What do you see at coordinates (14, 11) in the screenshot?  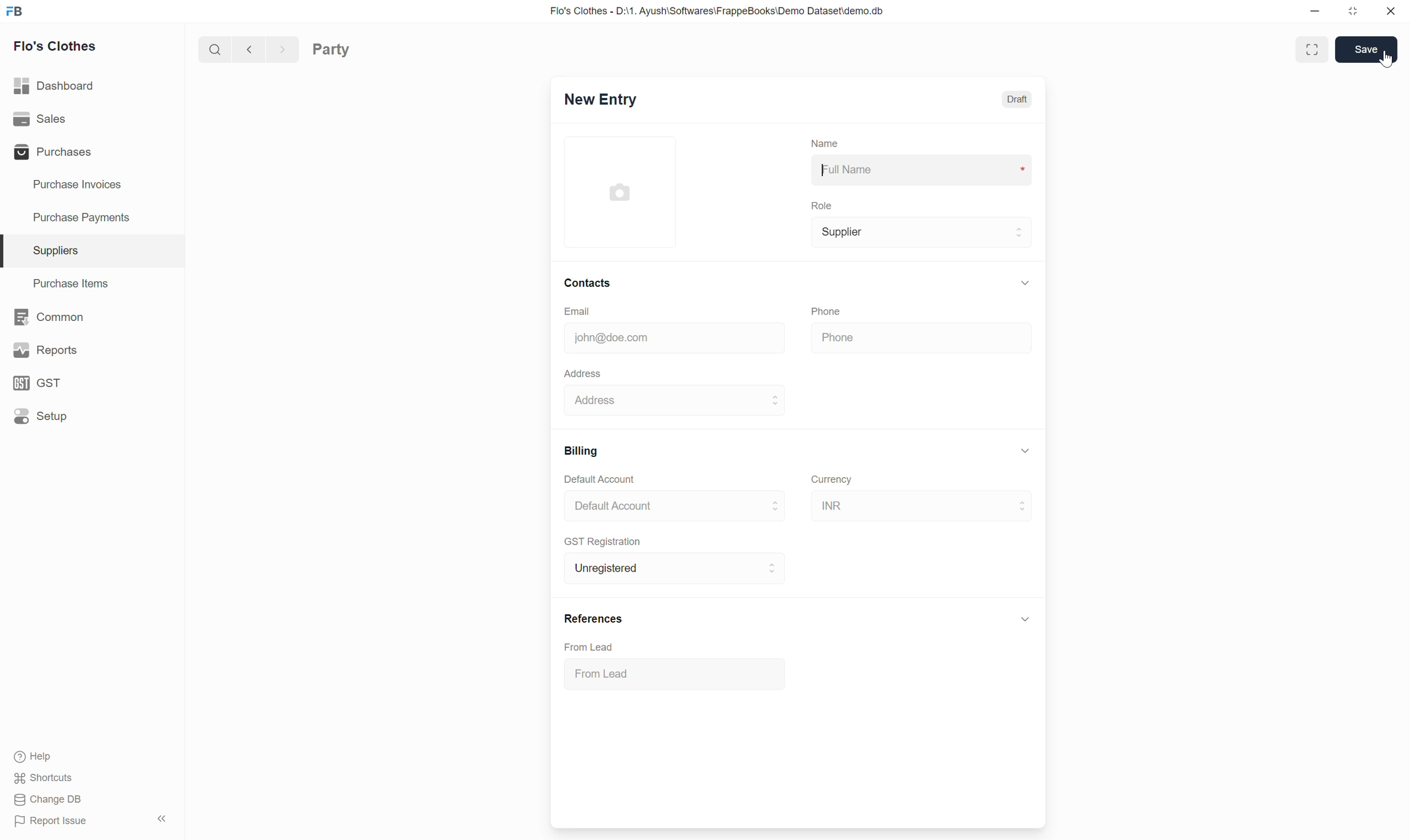 I see `Frappe Books logo` at bounding box center [14, 11].